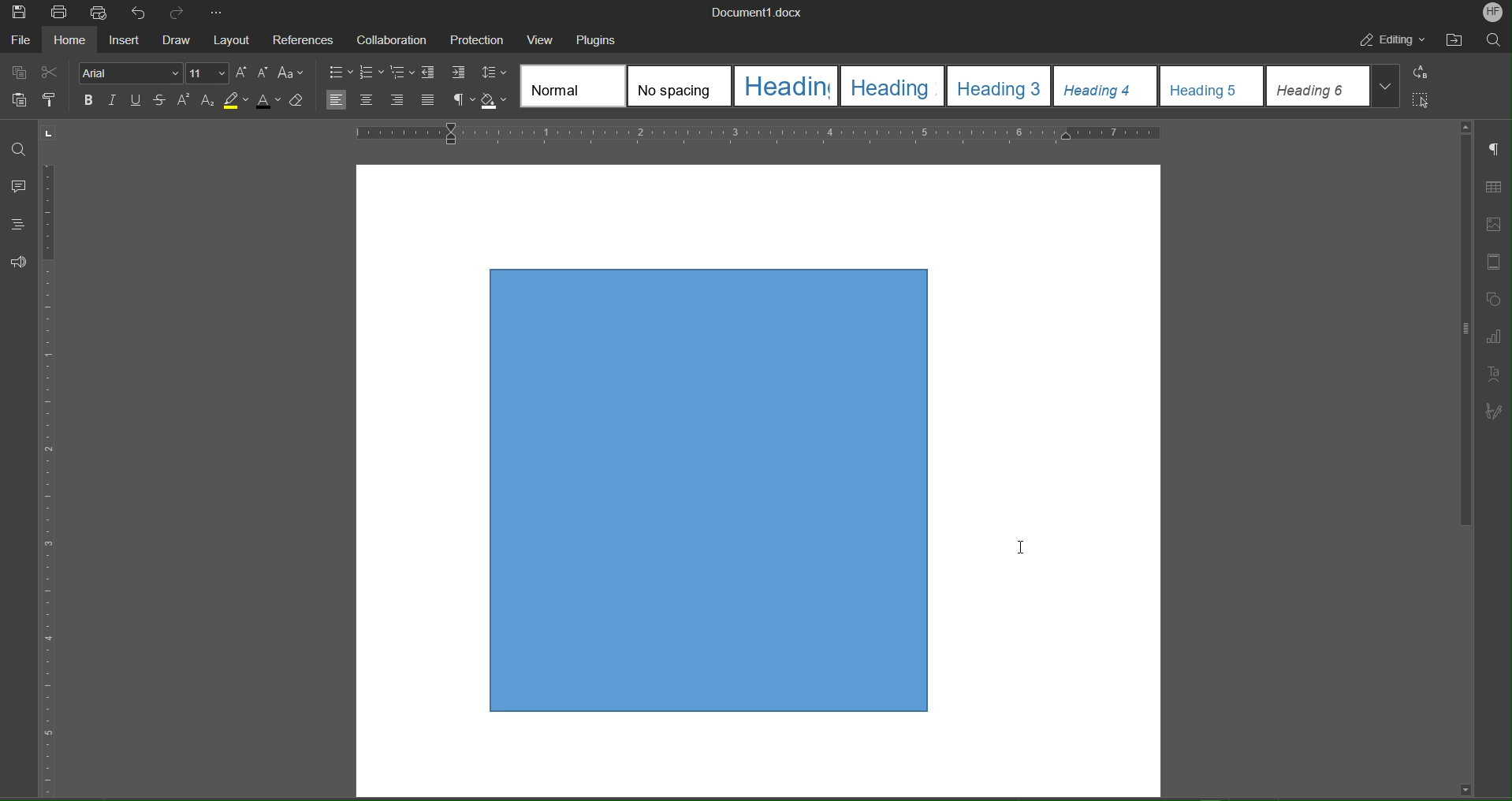 This screenshot has height=801, width=1512. I want to click on Search, so click(1496, 40).